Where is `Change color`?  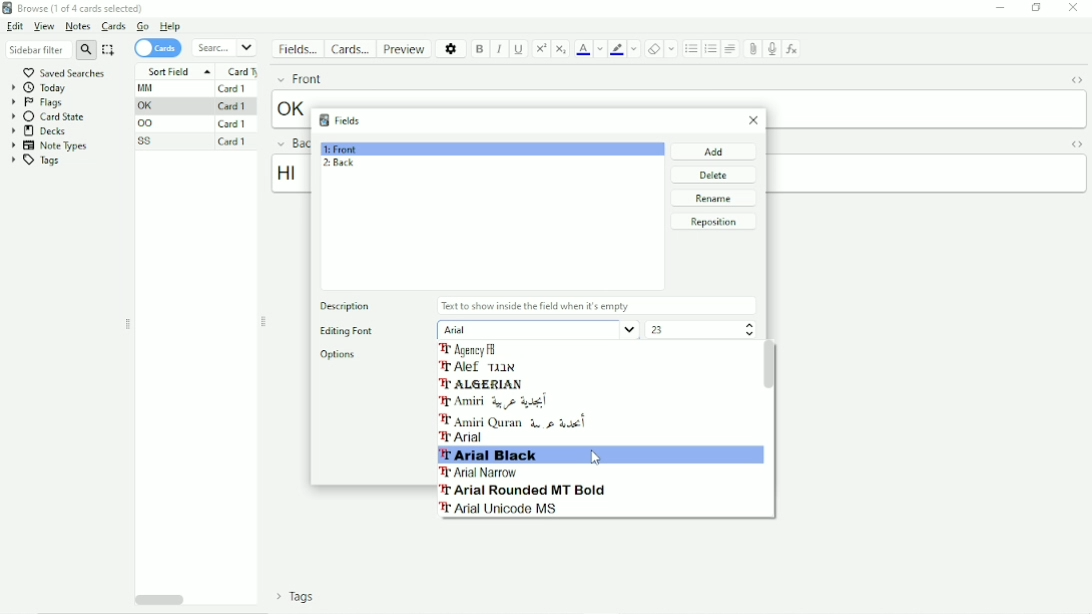
Change color is located at coordinates (635, 50).